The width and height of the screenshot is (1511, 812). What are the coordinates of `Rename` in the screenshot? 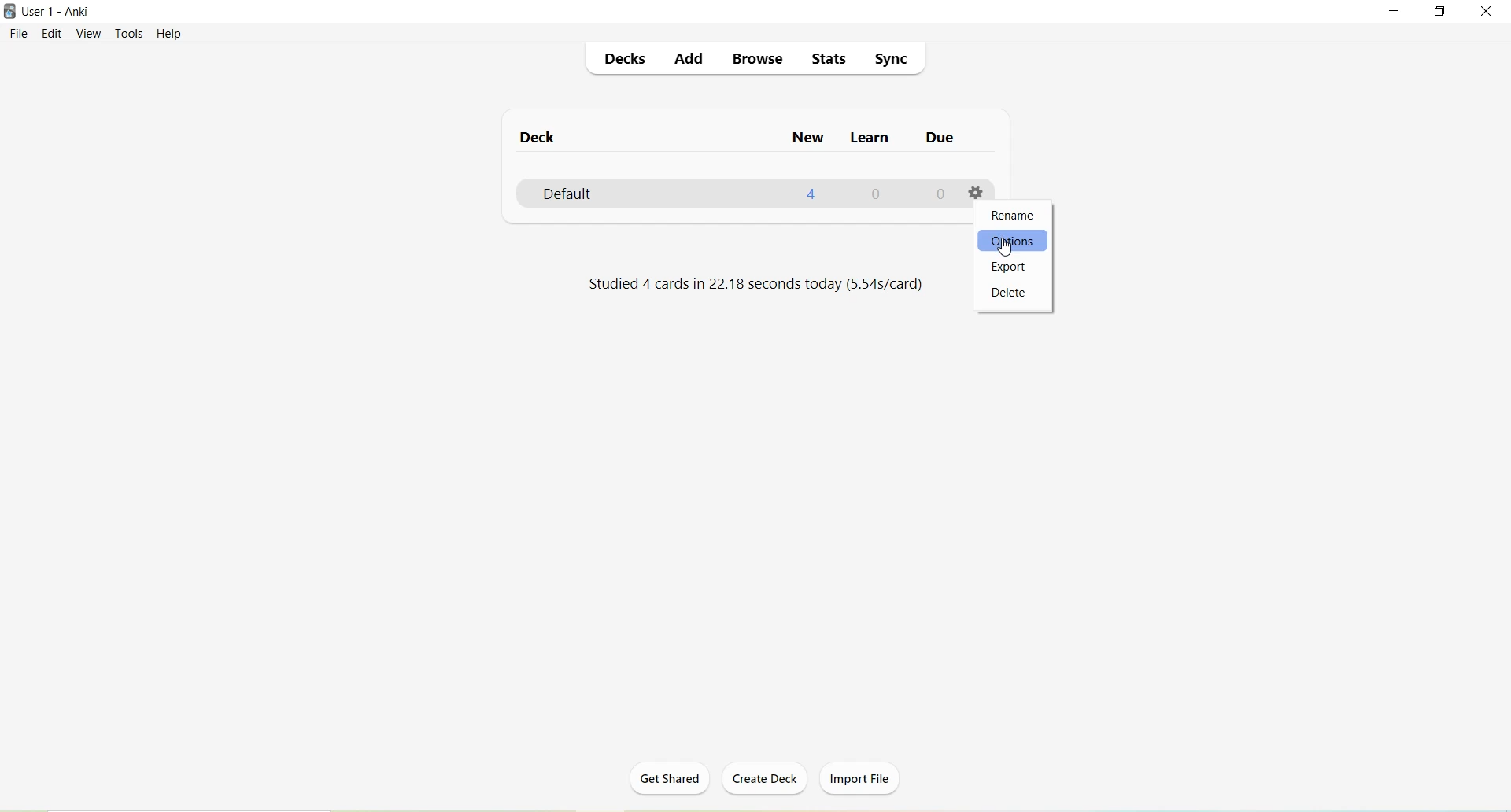 It's located at (1014, 215).